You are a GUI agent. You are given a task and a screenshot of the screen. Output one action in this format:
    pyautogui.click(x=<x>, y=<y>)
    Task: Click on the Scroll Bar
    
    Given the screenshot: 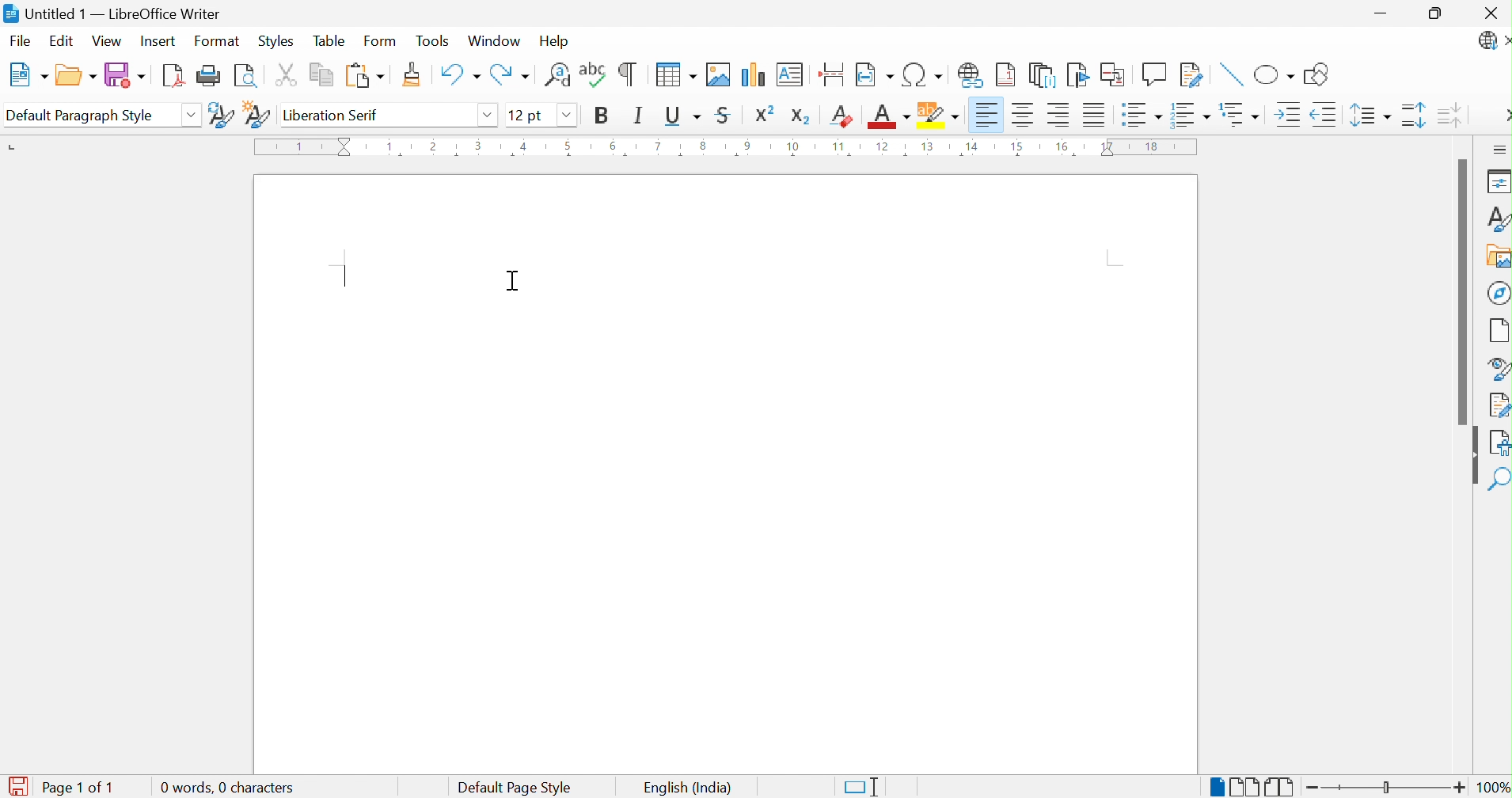 What is the action you would take?
    pyautogui.click(x=1457, y=291)
    